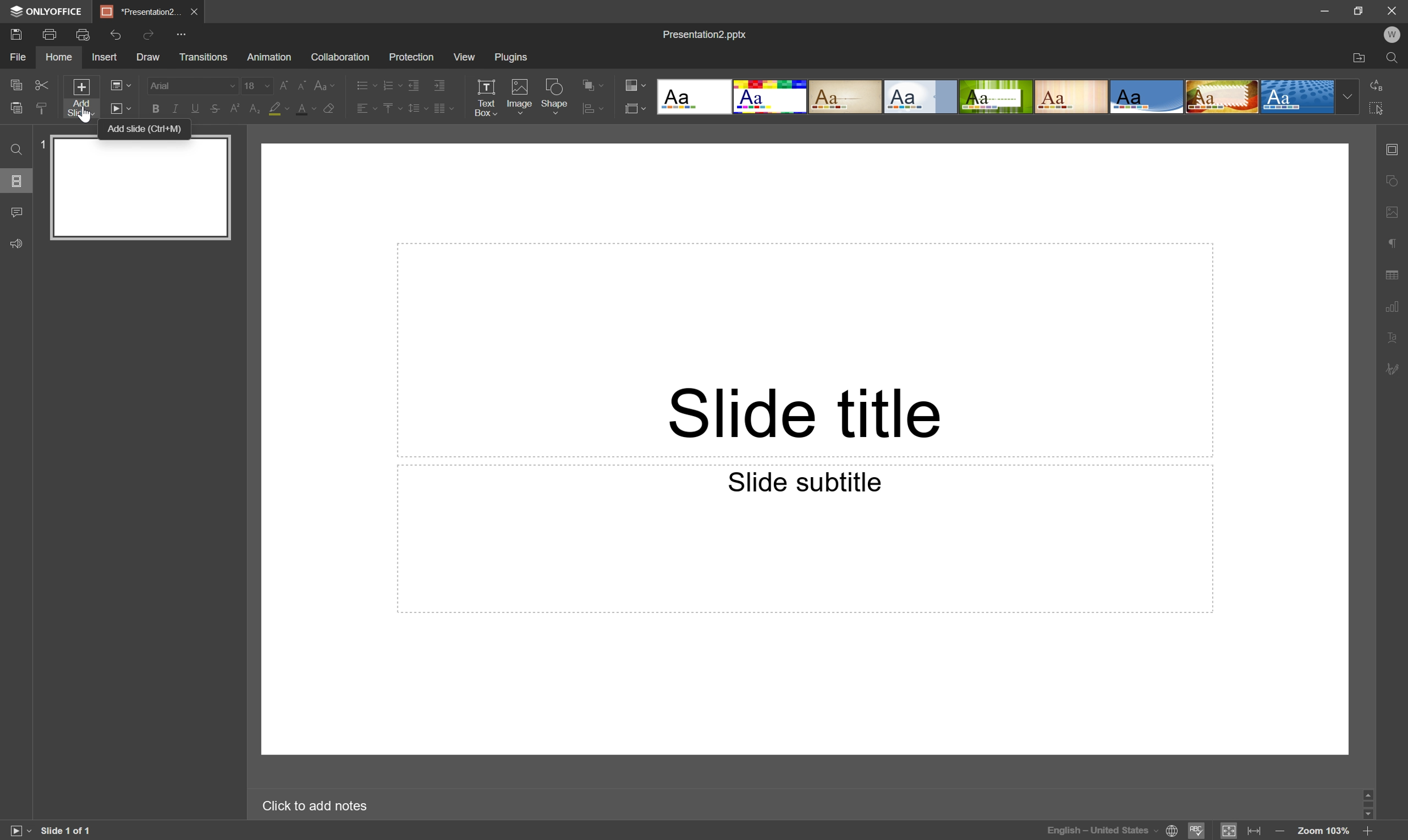 This screenshot has height=840, width=1408. What do you see at coordinates (303, 83) in the screenshot?
I see `Decrement font size` at bounding box center [303, 83].